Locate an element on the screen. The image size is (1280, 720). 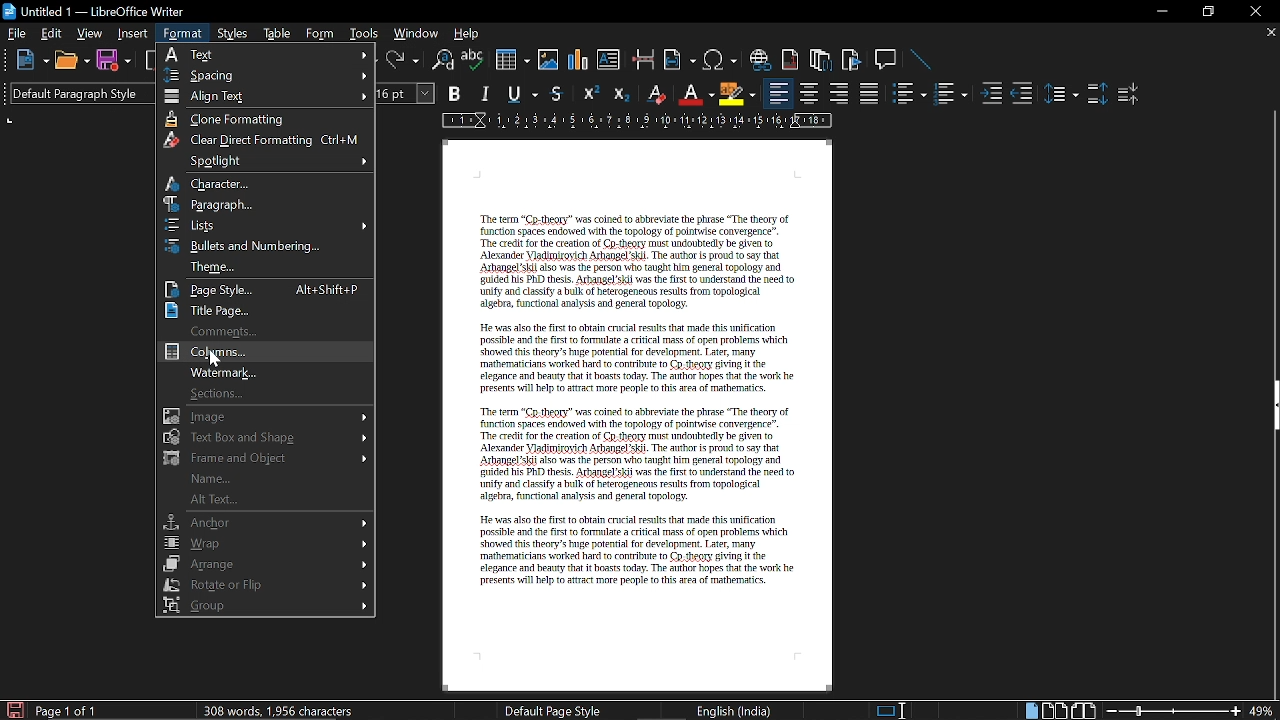
Format is located at coordinates (186, 33).